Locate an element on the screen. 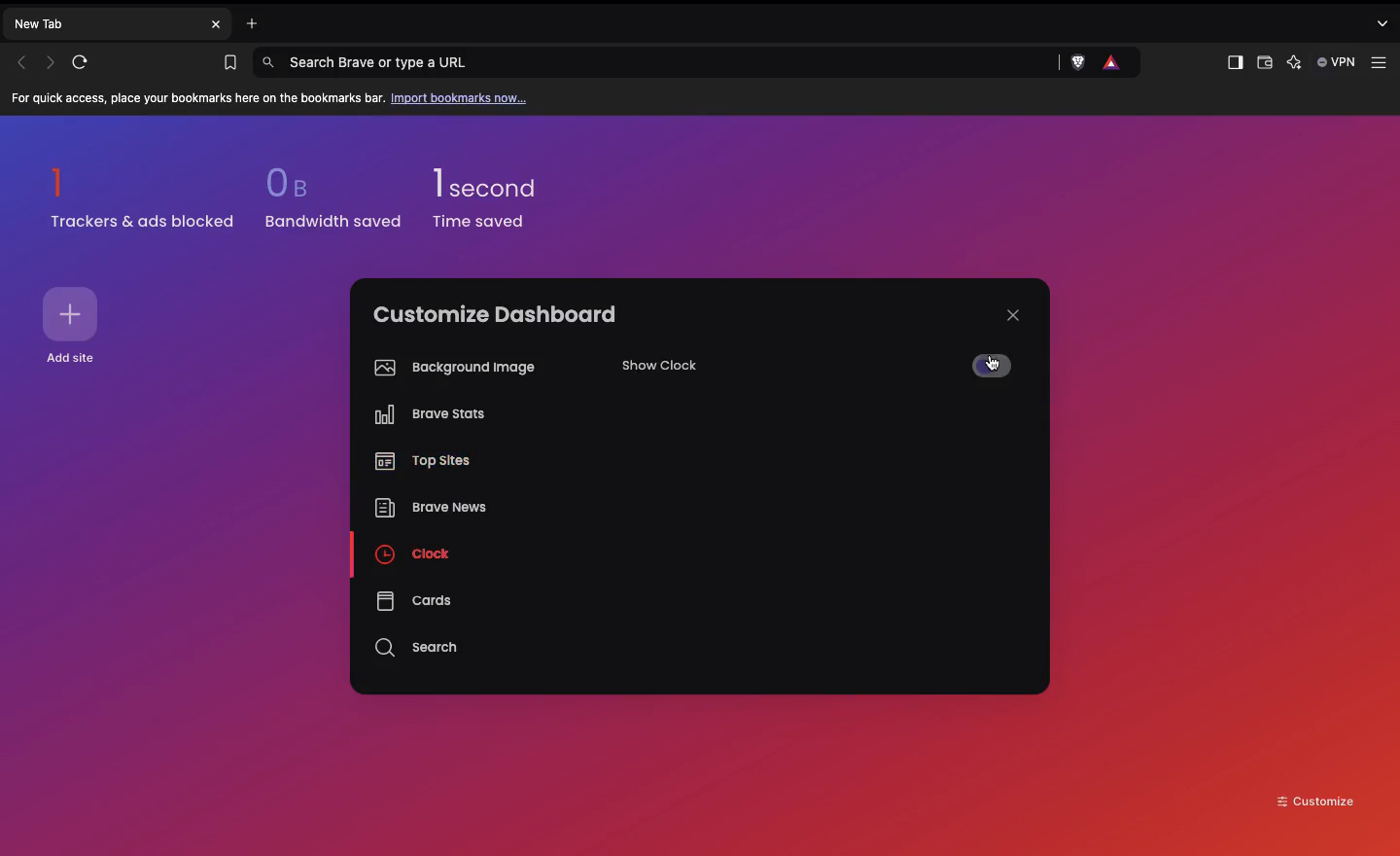 This screenshot has height=856, width=1400. Search Brave or type a URL is located at coordinates (657, 61).